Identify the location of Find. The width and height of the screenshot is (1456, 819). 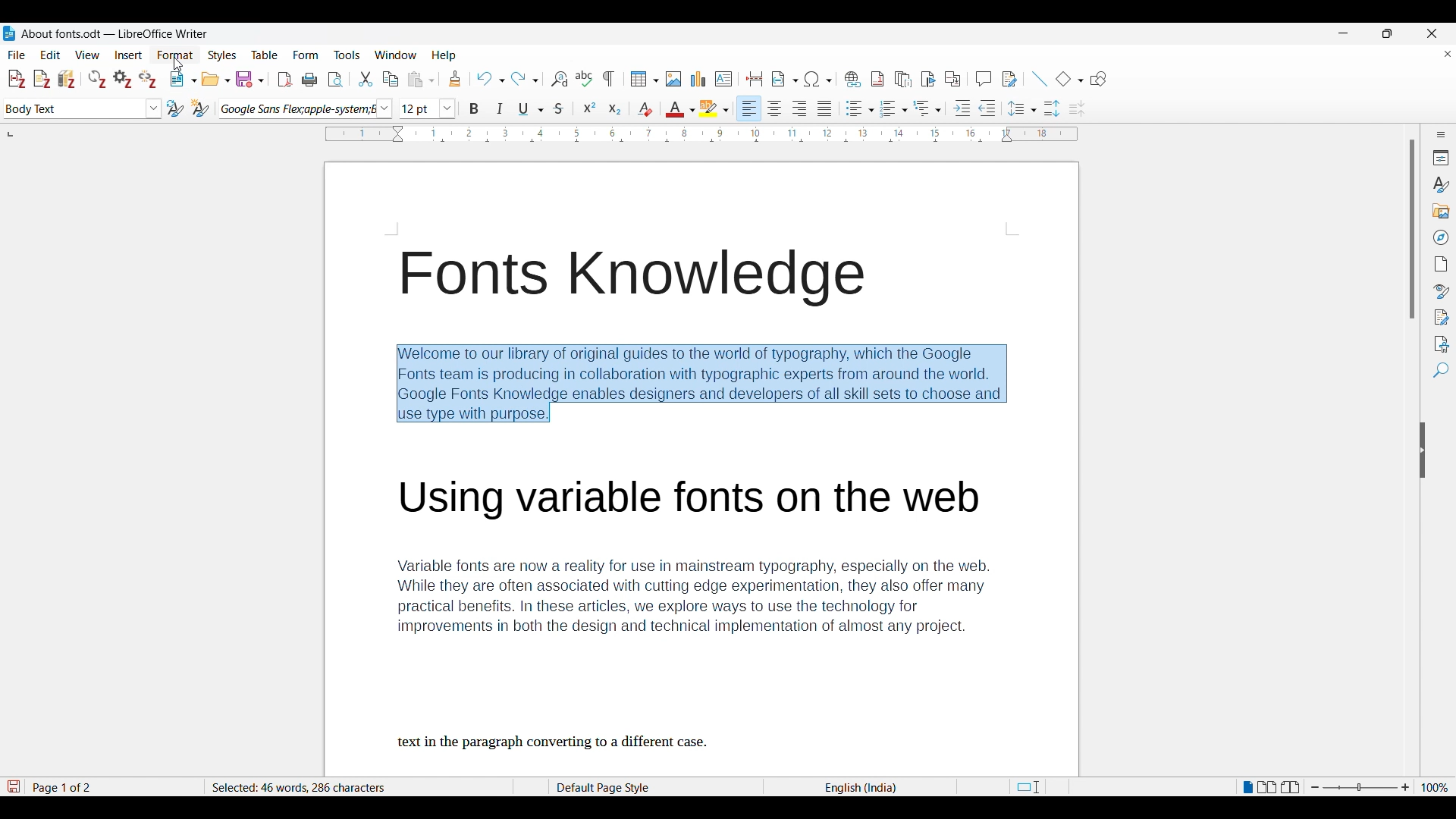
(1441, 370).